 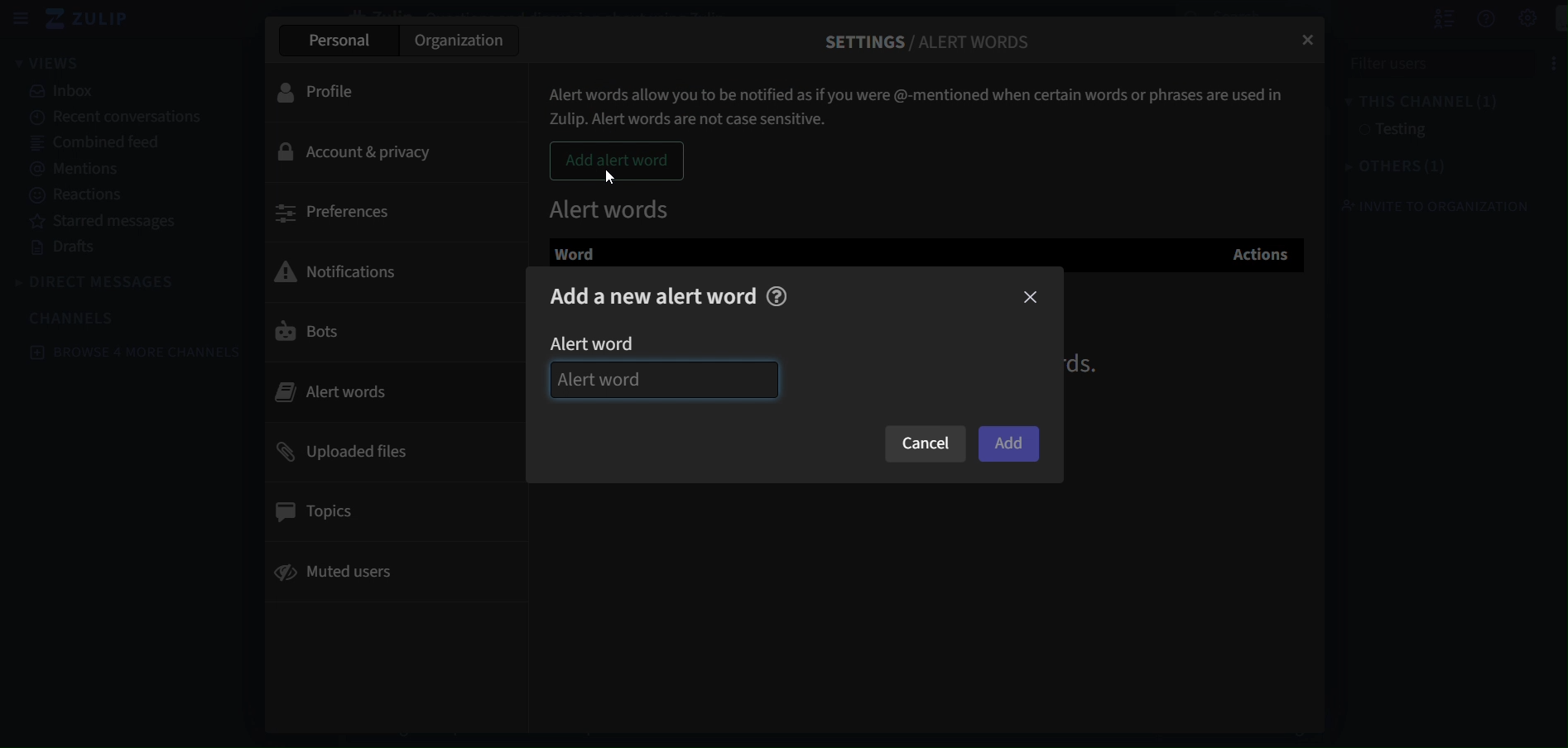 I want to click on views, so click(x=58, y=63).